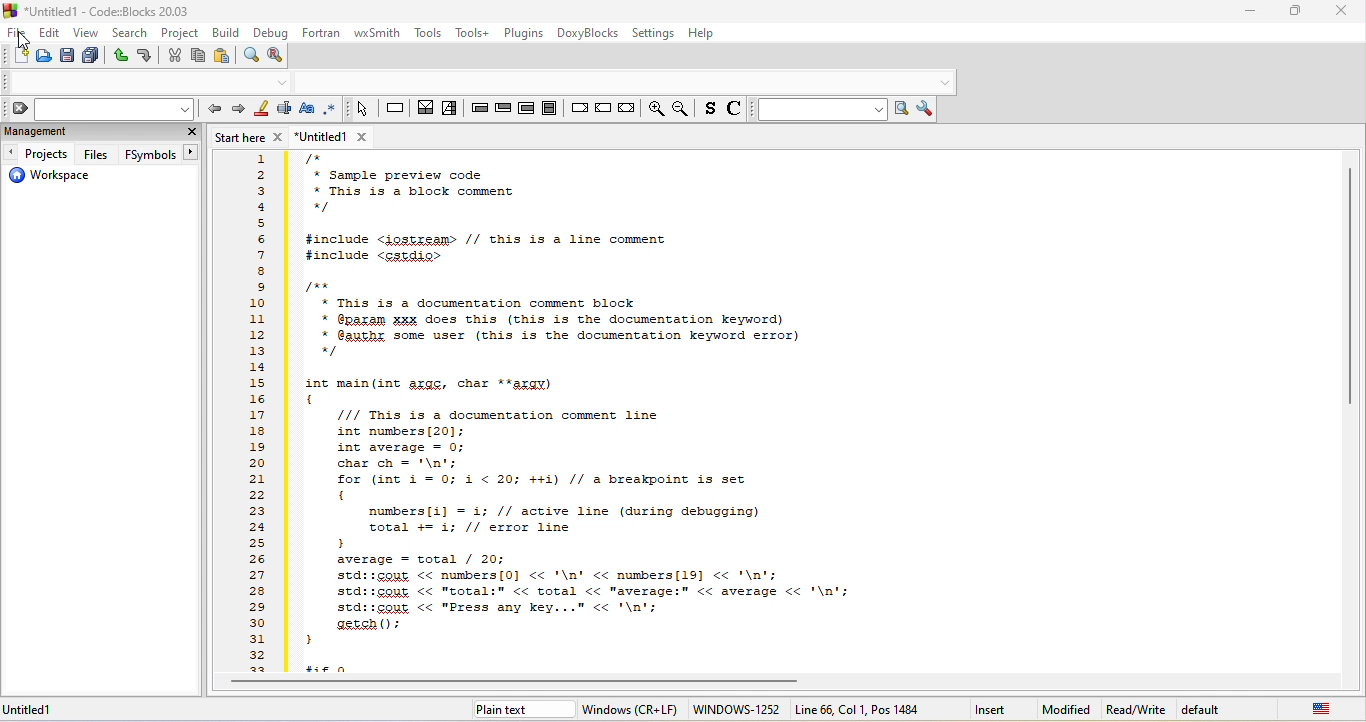  Describe the element at coordinates (578, 106) in the screenshot. I see `break` at that location.